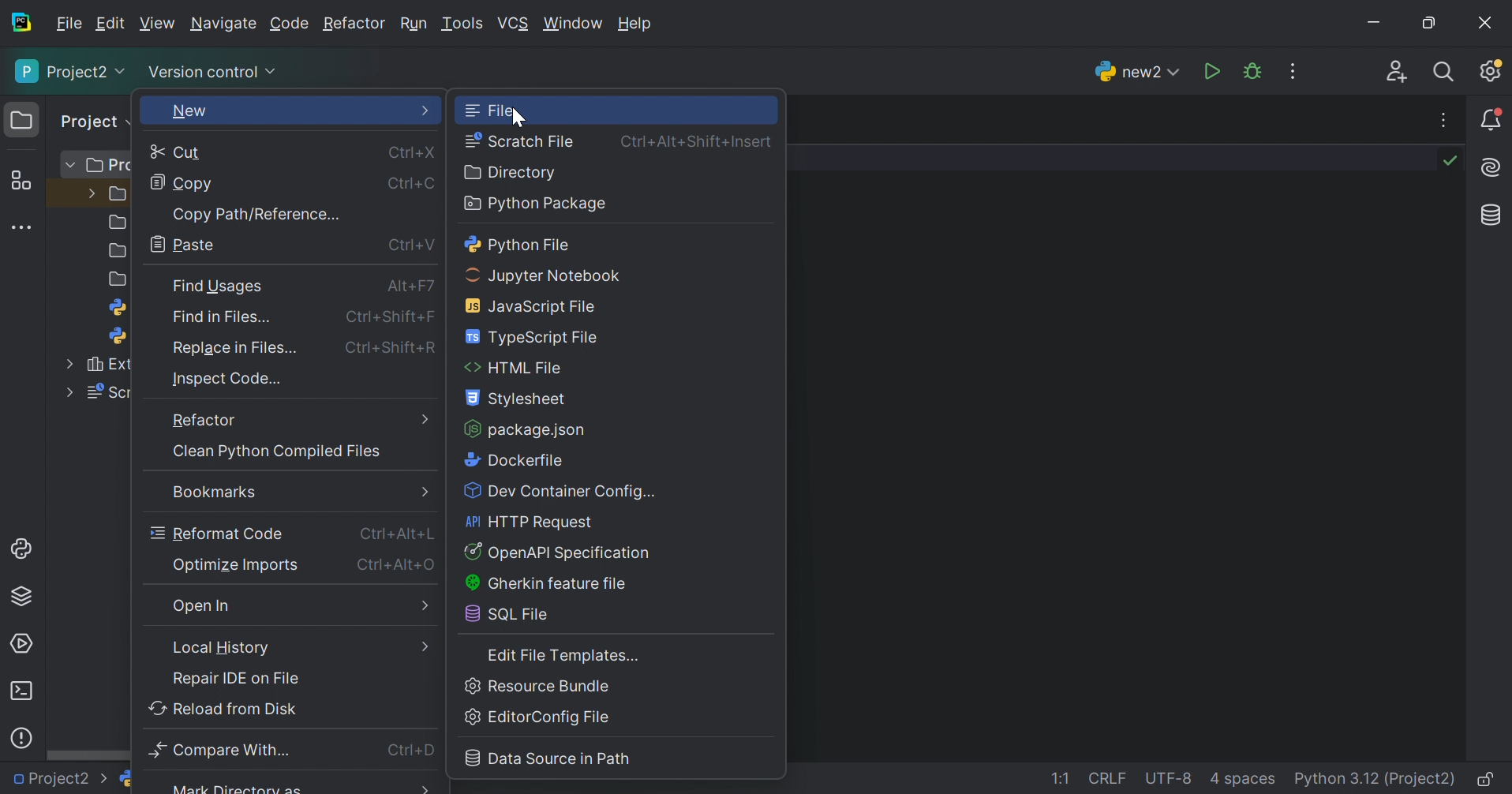 This screenshot has width=1512, height=794. I want to click on Project2, so click(61, 780).